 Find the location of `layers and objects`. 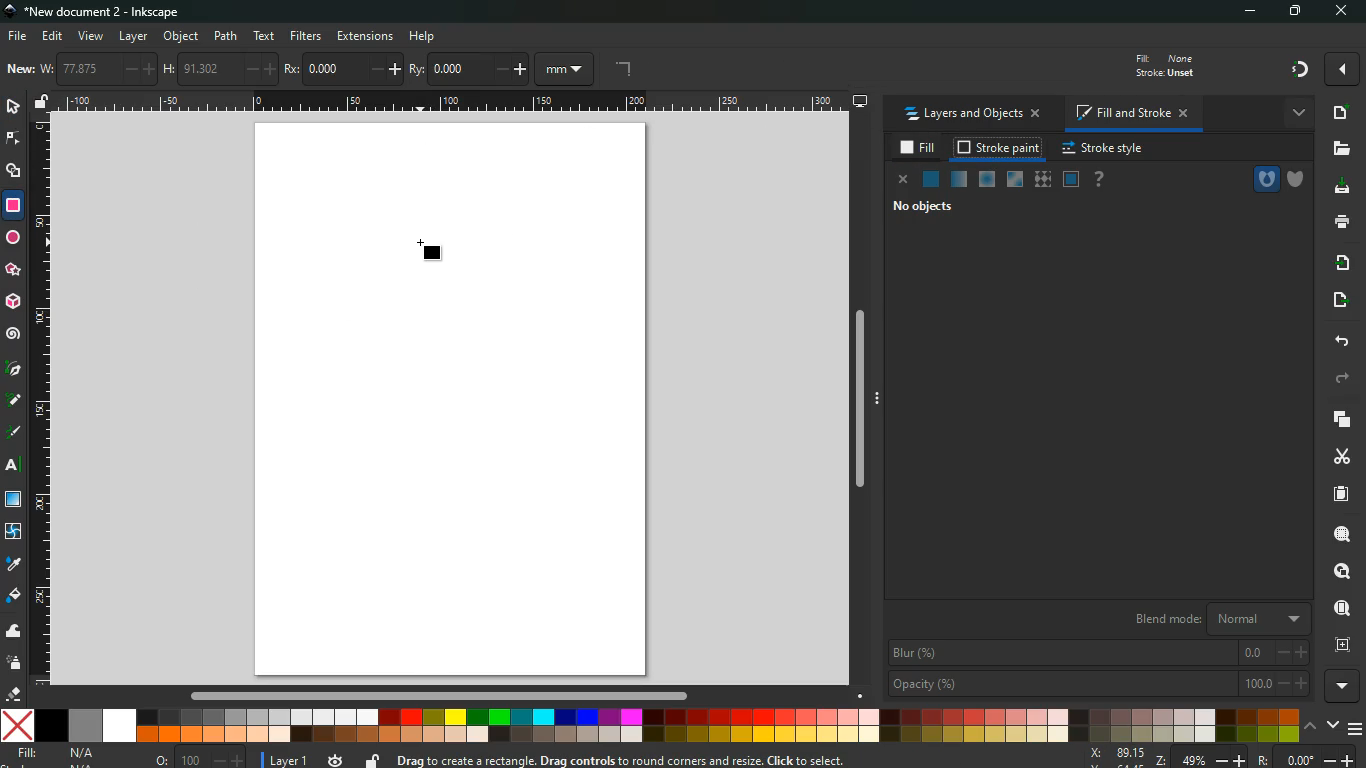

layers and objects is located at coordinates (974, 115).